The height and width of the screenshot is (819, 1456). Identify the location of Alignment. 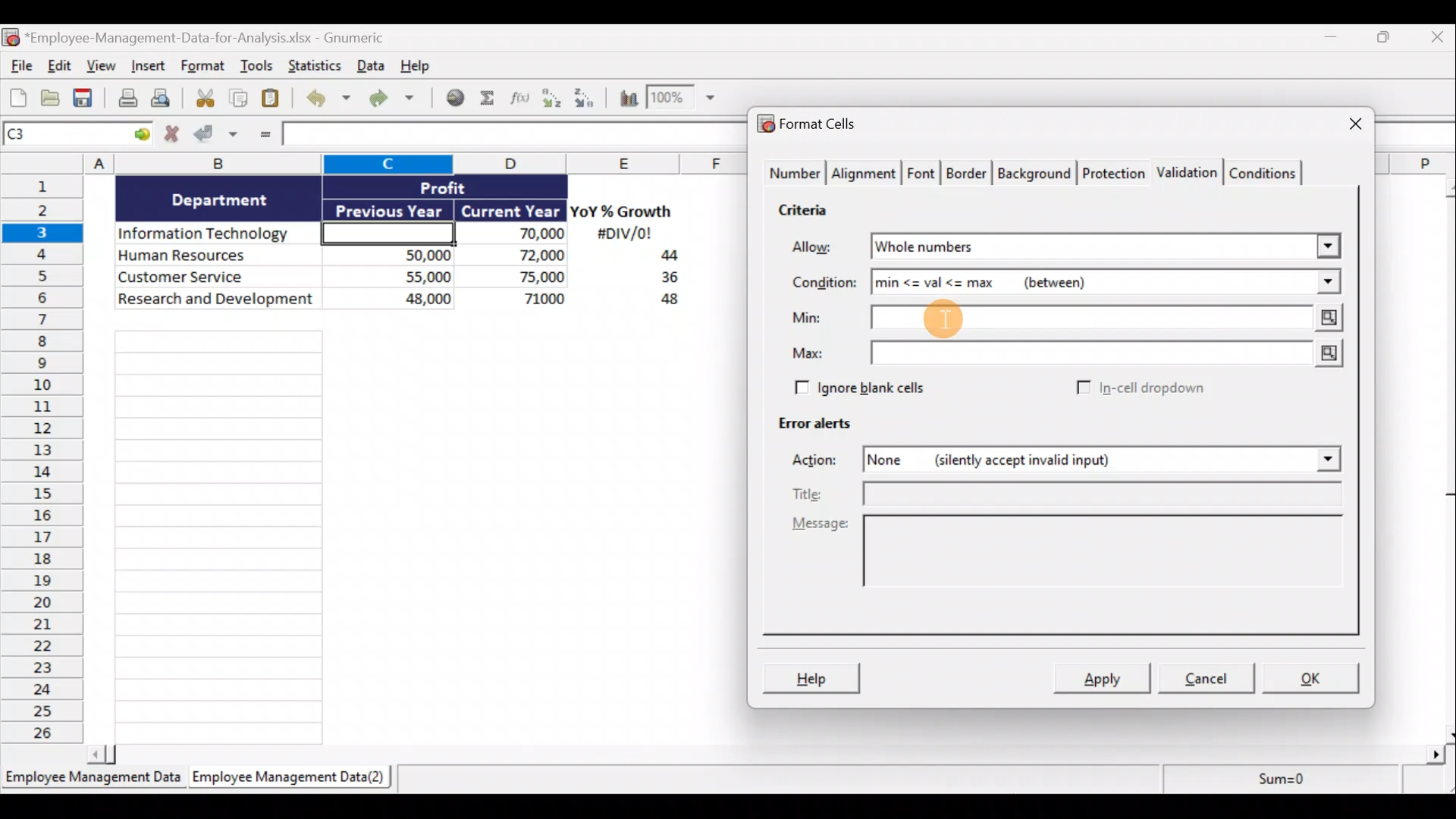
(865, 174).